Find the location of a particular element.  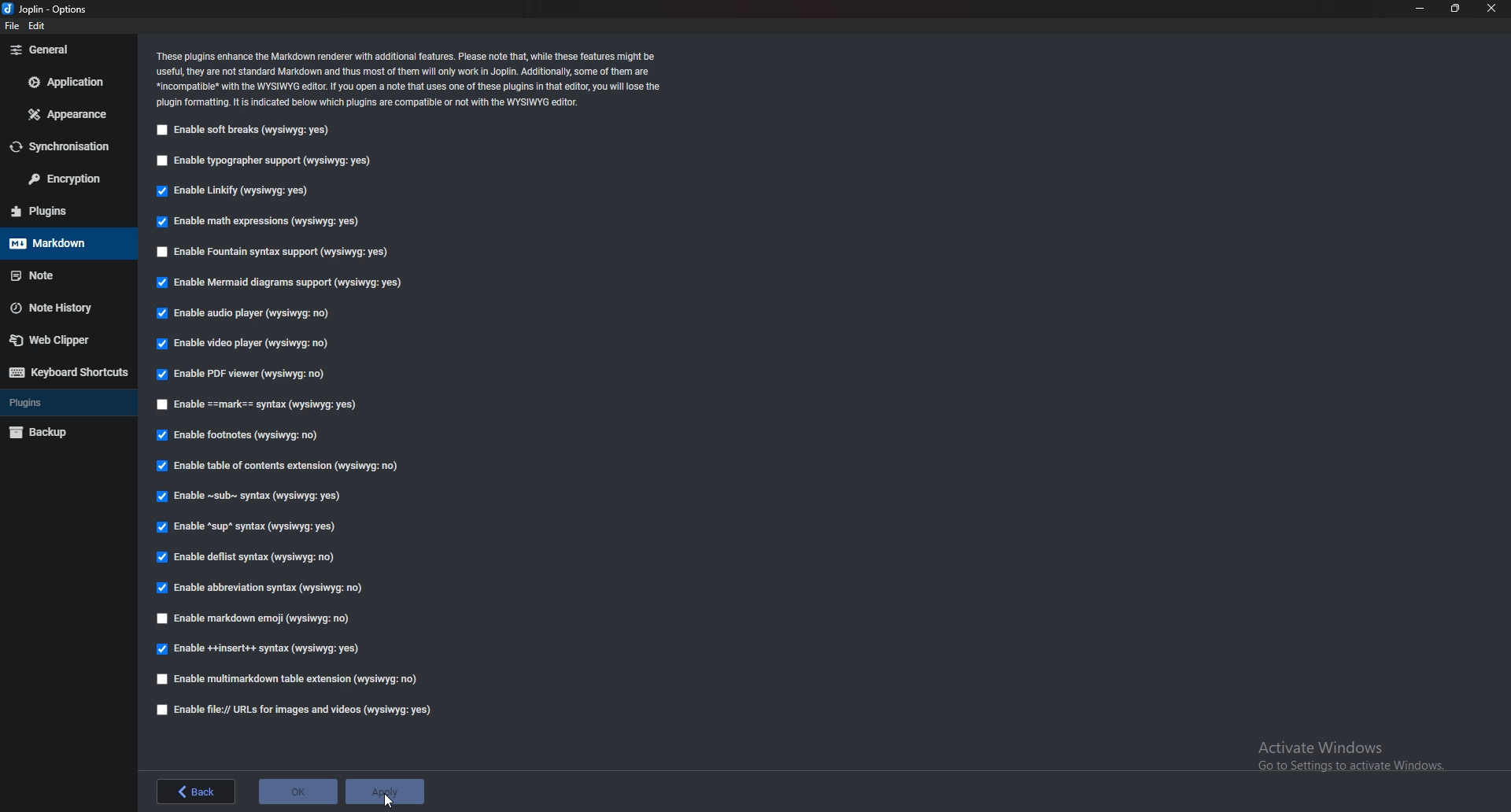

enable insert syntax is located at coordinates (259, 649).